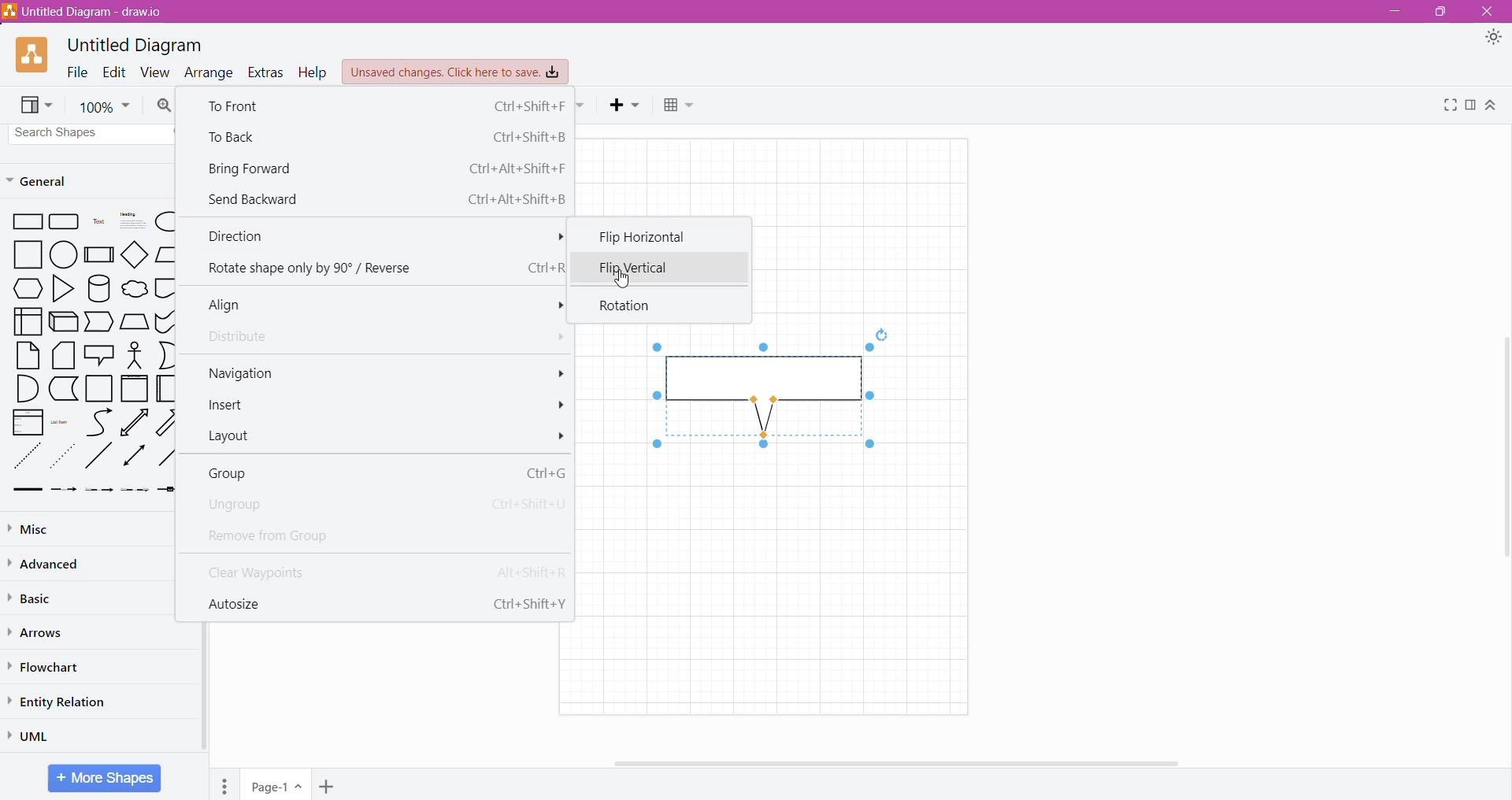 The width and height of the screenshot is (1512, 800). Describe the element at coordinates (63, 255) in the screenshot. I see `circle` at that location.